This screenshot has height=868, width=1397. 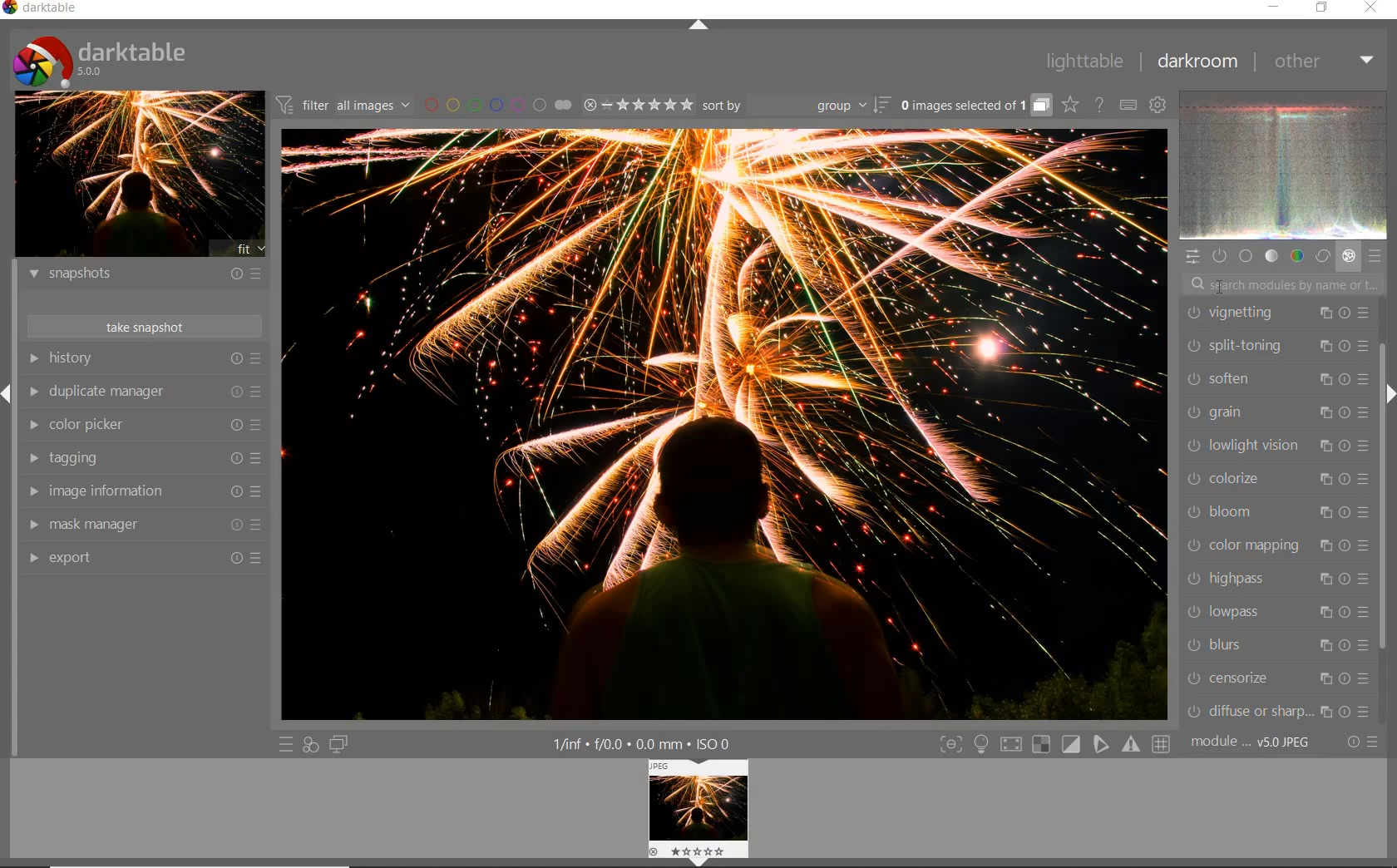 I want to click on tone, so click(x=1273, y=257).